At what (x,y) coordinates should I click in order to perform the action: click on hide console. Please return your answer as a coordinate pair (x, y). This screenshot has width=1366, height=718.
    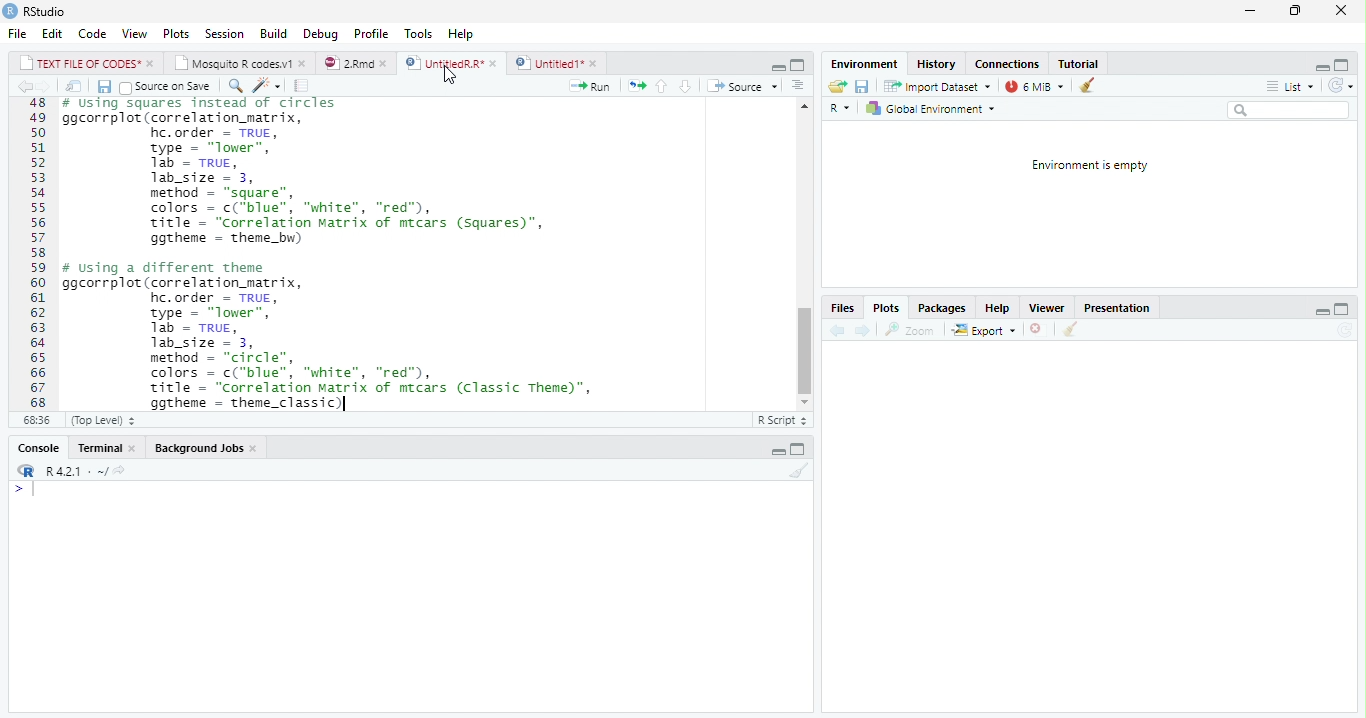
    Looking at the image, I should click on (800, 447).